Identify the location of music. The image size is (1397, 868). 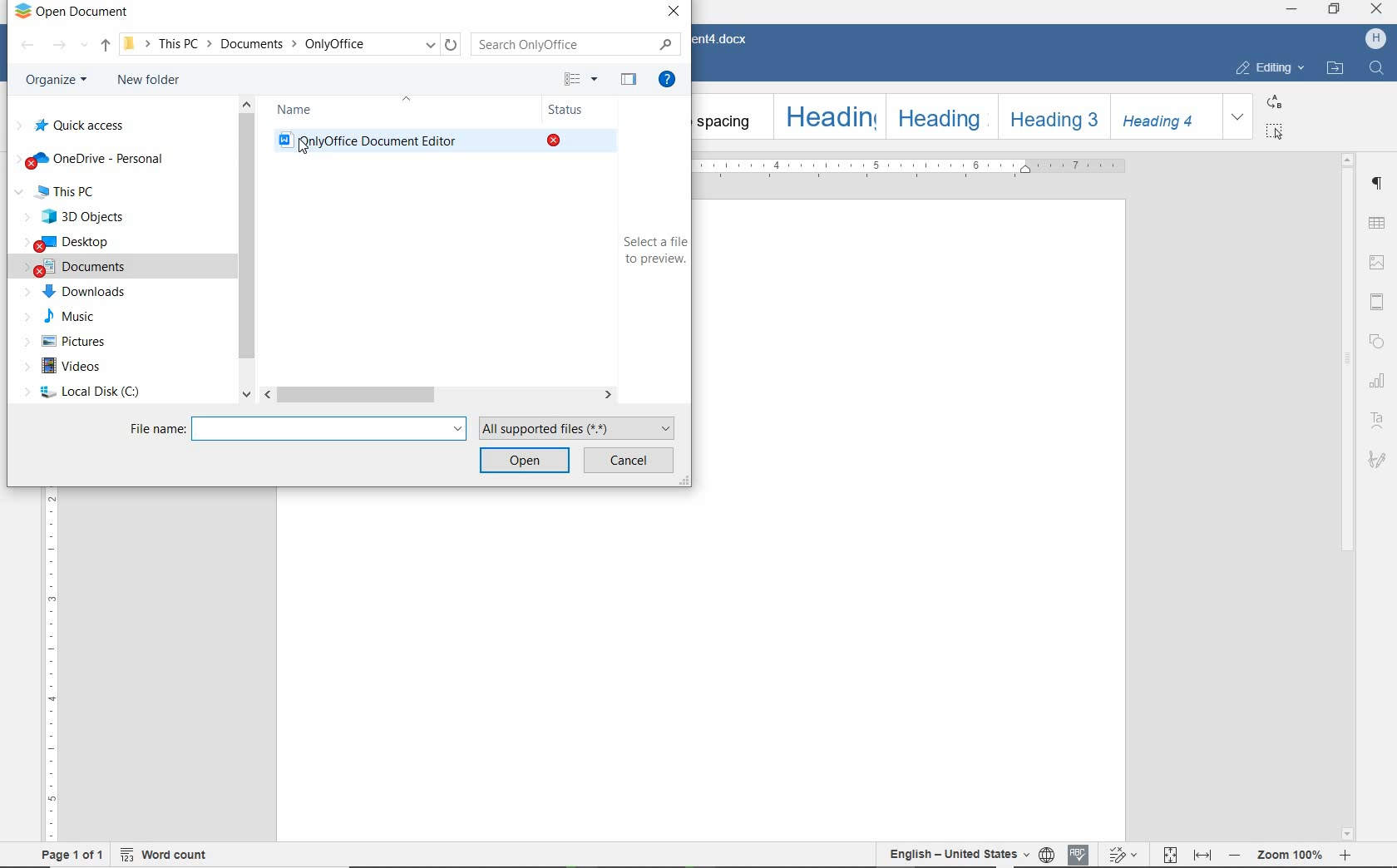
(63, 316).